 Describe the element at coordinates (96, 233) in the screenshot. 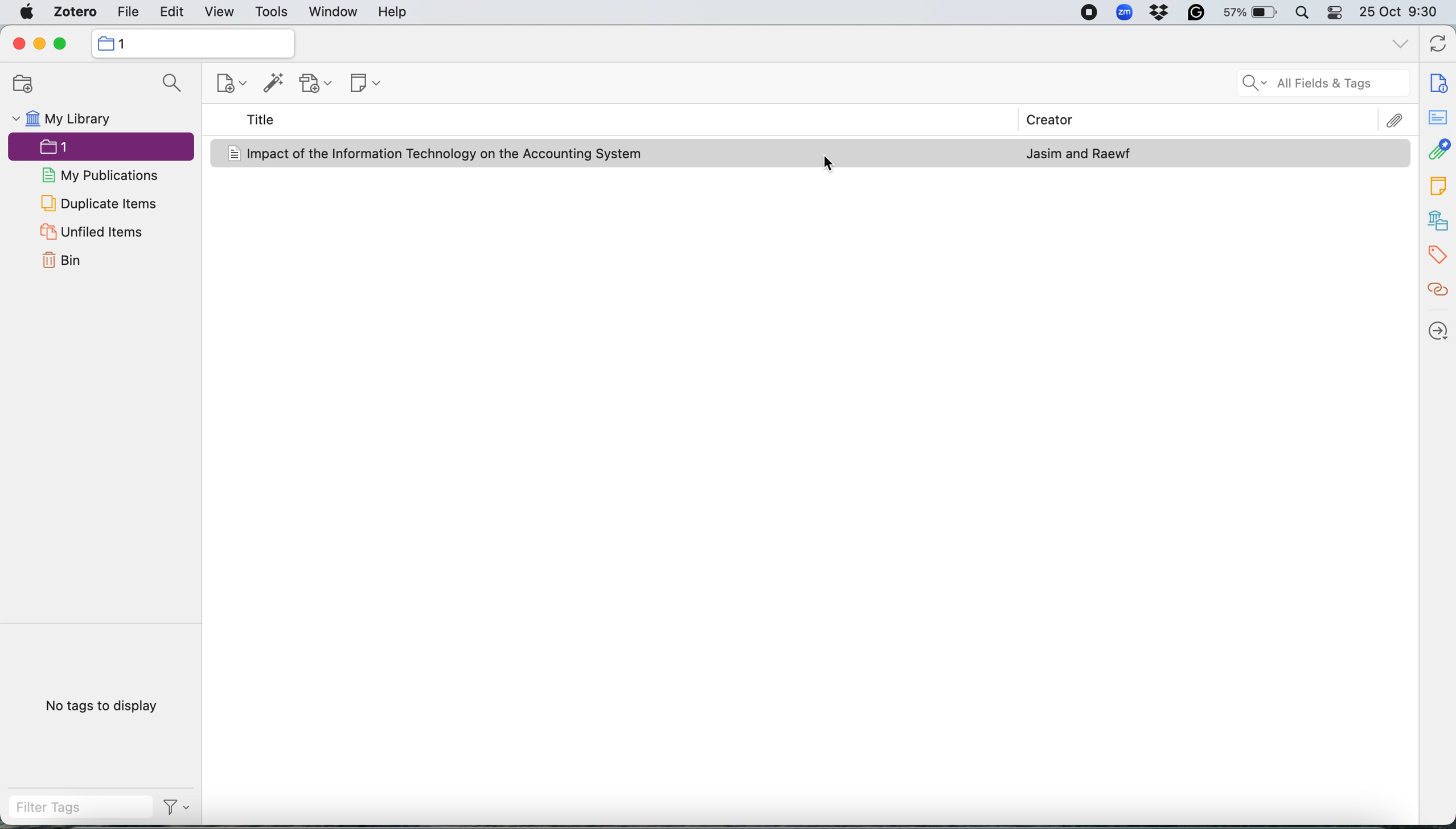

I see `unfiled items` at that location.